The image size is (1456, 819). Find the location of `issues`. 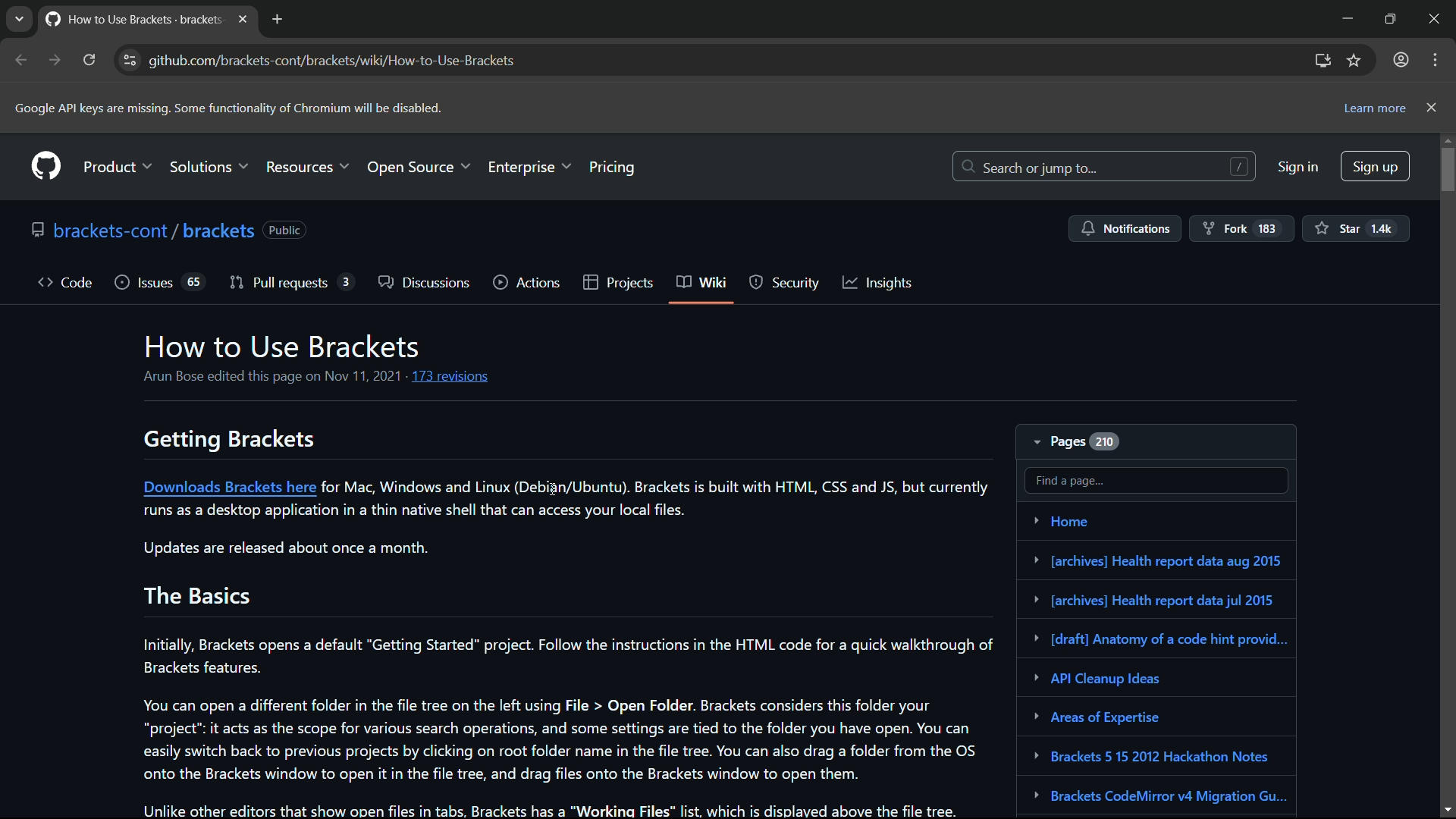

issues is located at coordinates (143, 282).